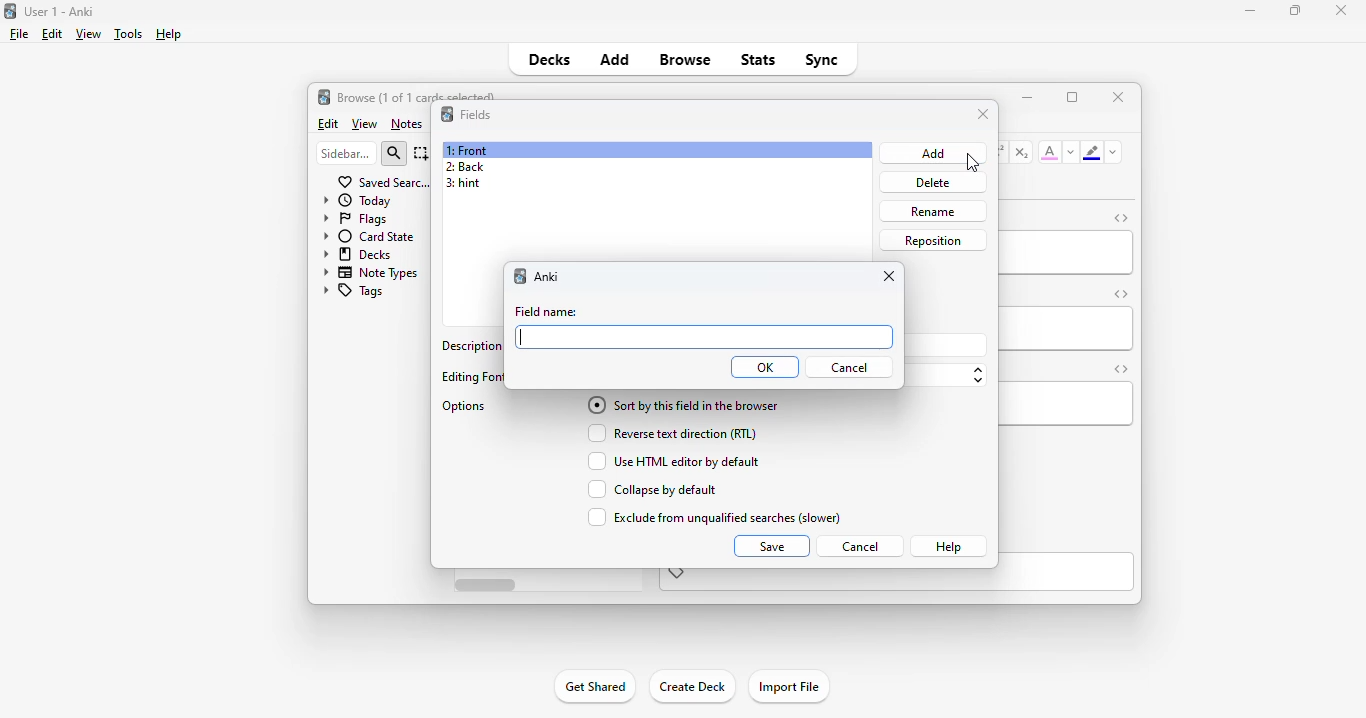 The image size is (1366, 718). What do you see at coordinates (417, 95) in the screenshot?
I see `browse (1 of 1 cards selected)` at bounding box center [417, 95].